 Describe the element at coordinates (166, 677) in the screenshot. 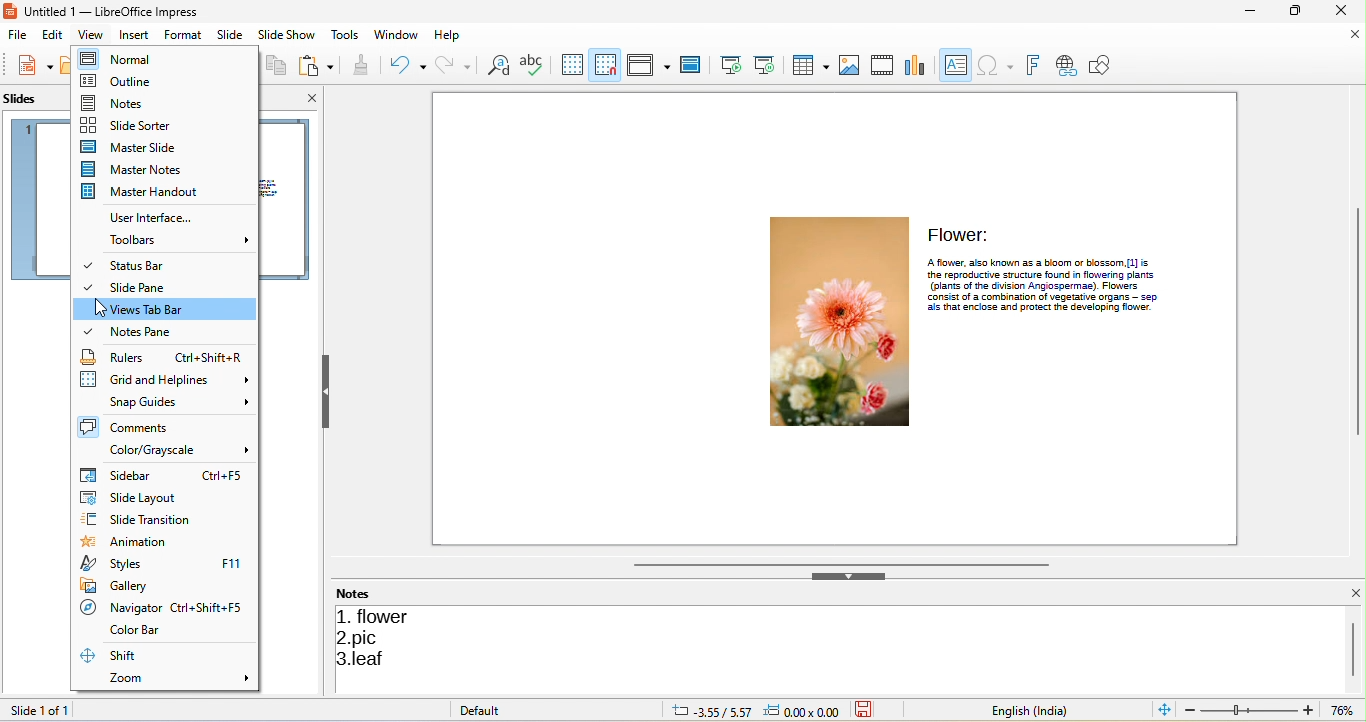

I see `zoom` at that location.